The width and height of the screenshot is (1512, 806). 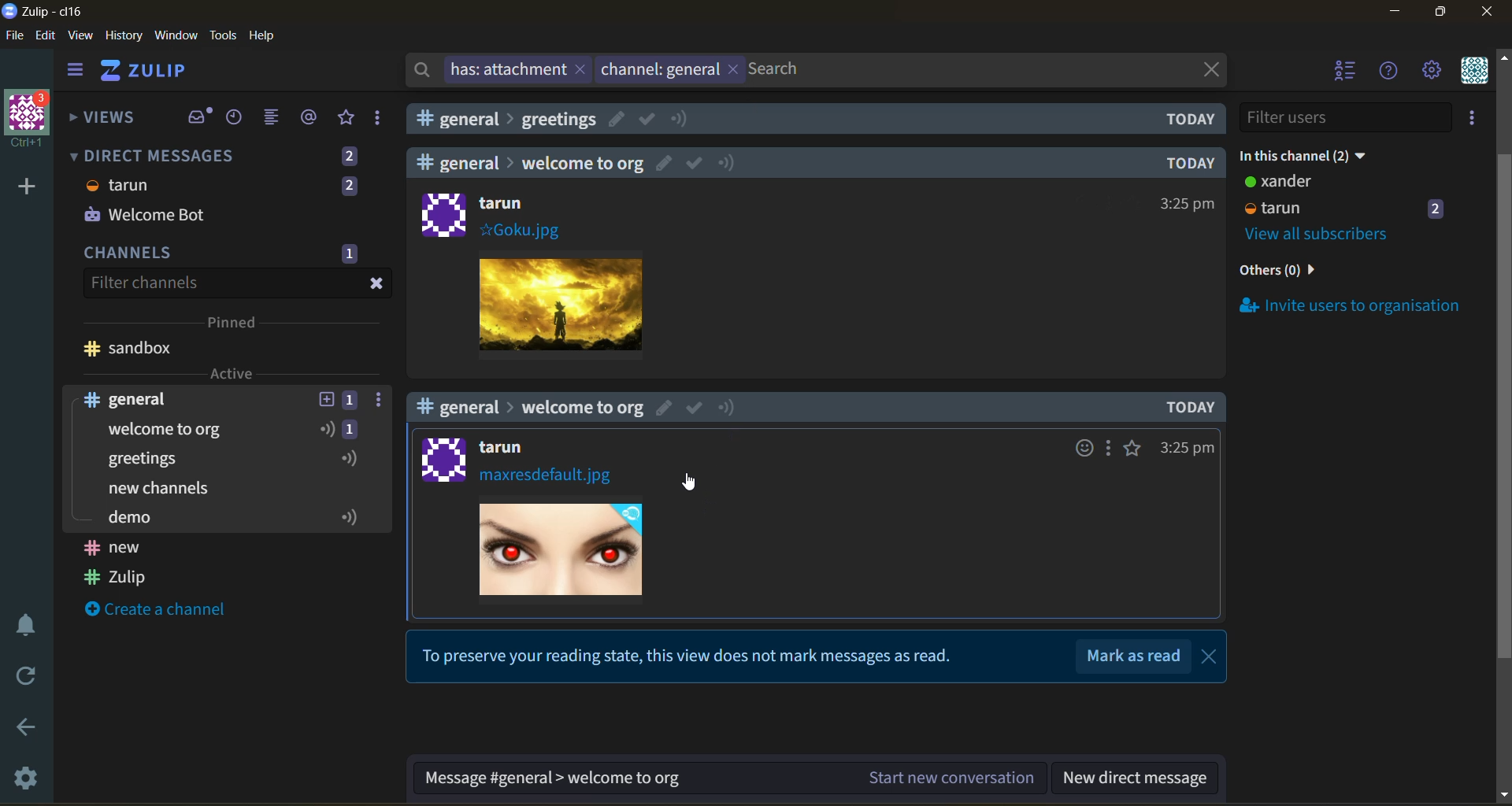 I want to click on help, so click(x=263, y=35).